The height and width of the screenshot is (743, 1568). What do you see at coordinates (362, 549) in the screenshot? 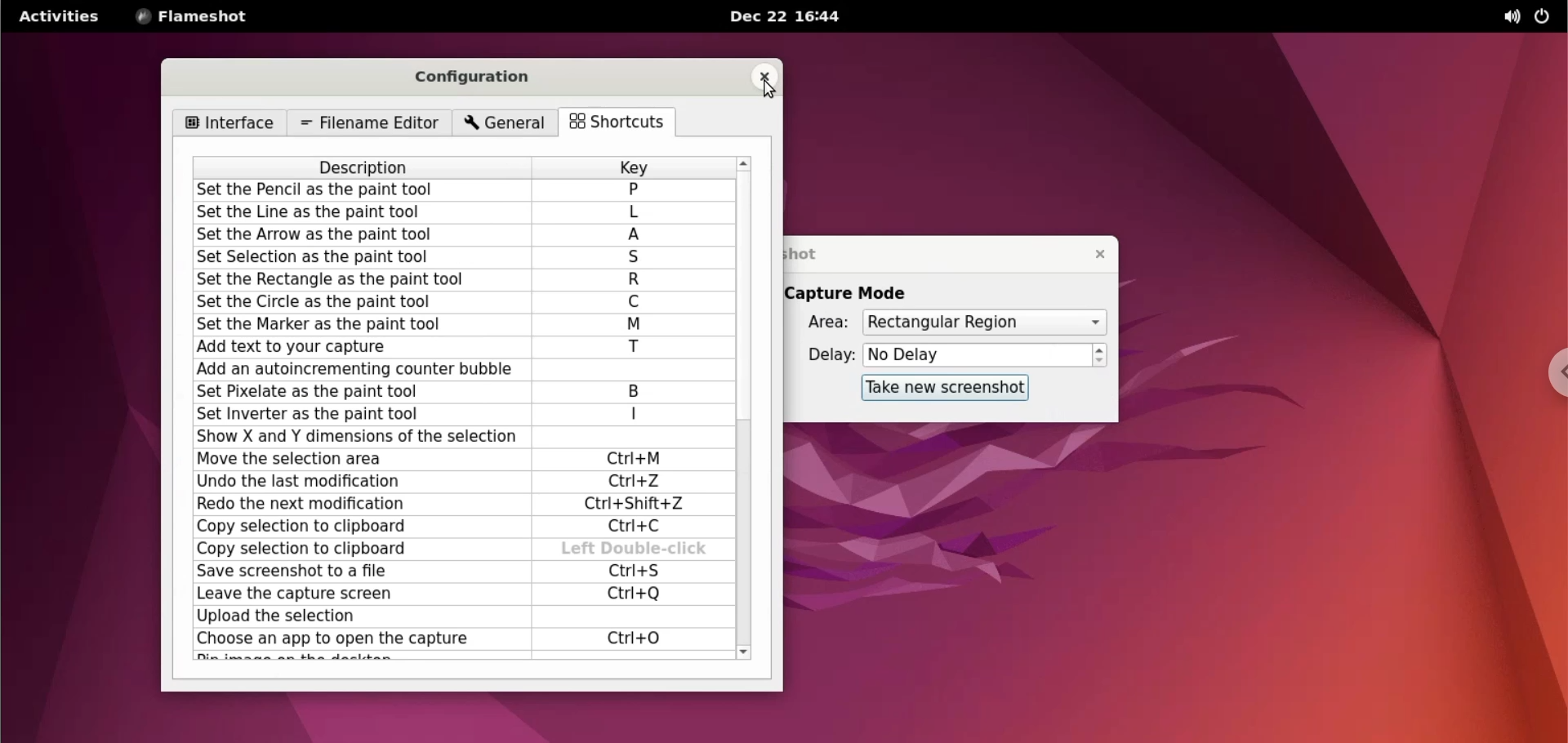
I see `copy selection to clipboard` at bounding box center [362, 549].